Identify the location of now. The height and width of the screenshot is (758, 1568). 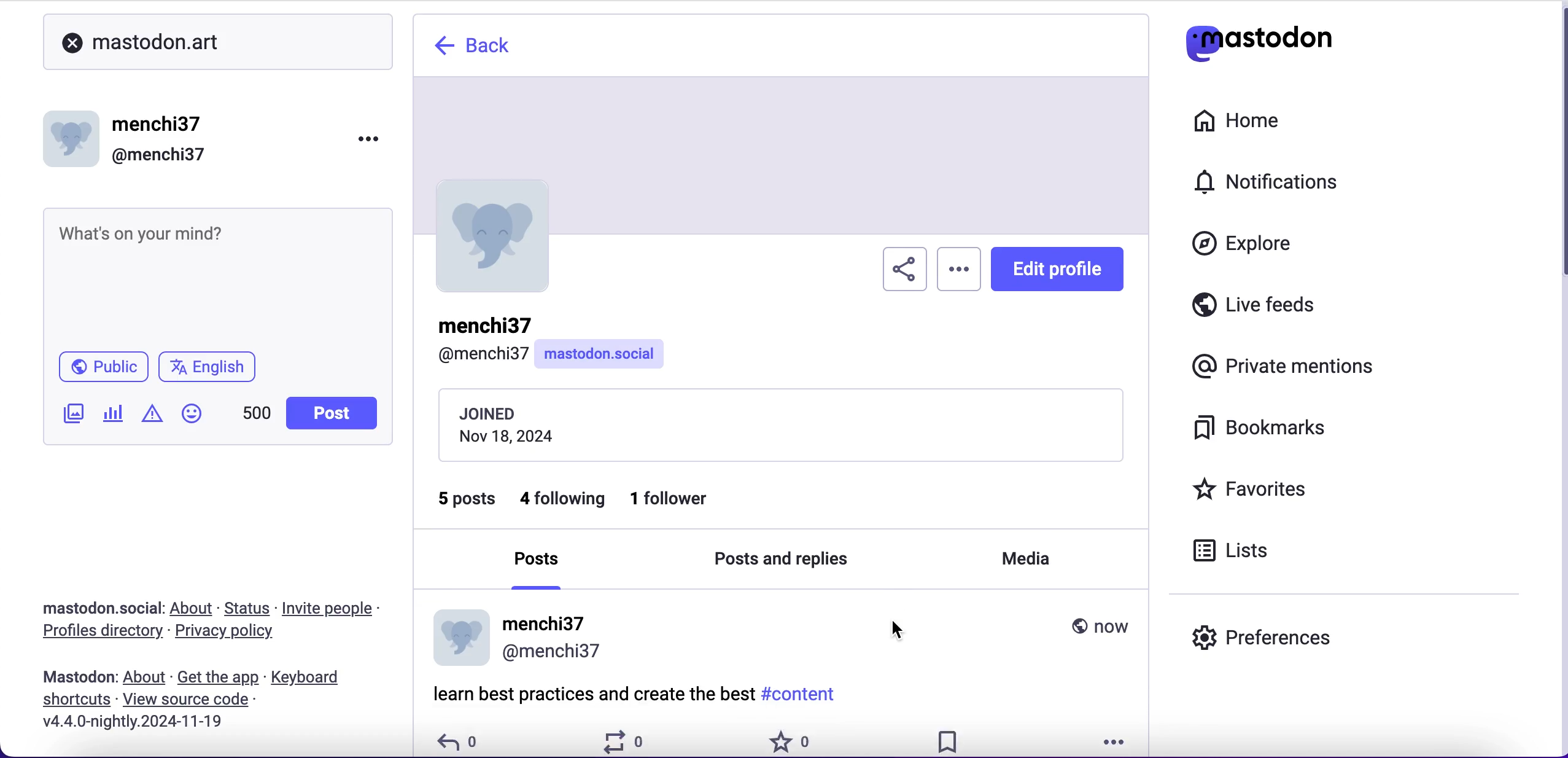
(1098, 624).